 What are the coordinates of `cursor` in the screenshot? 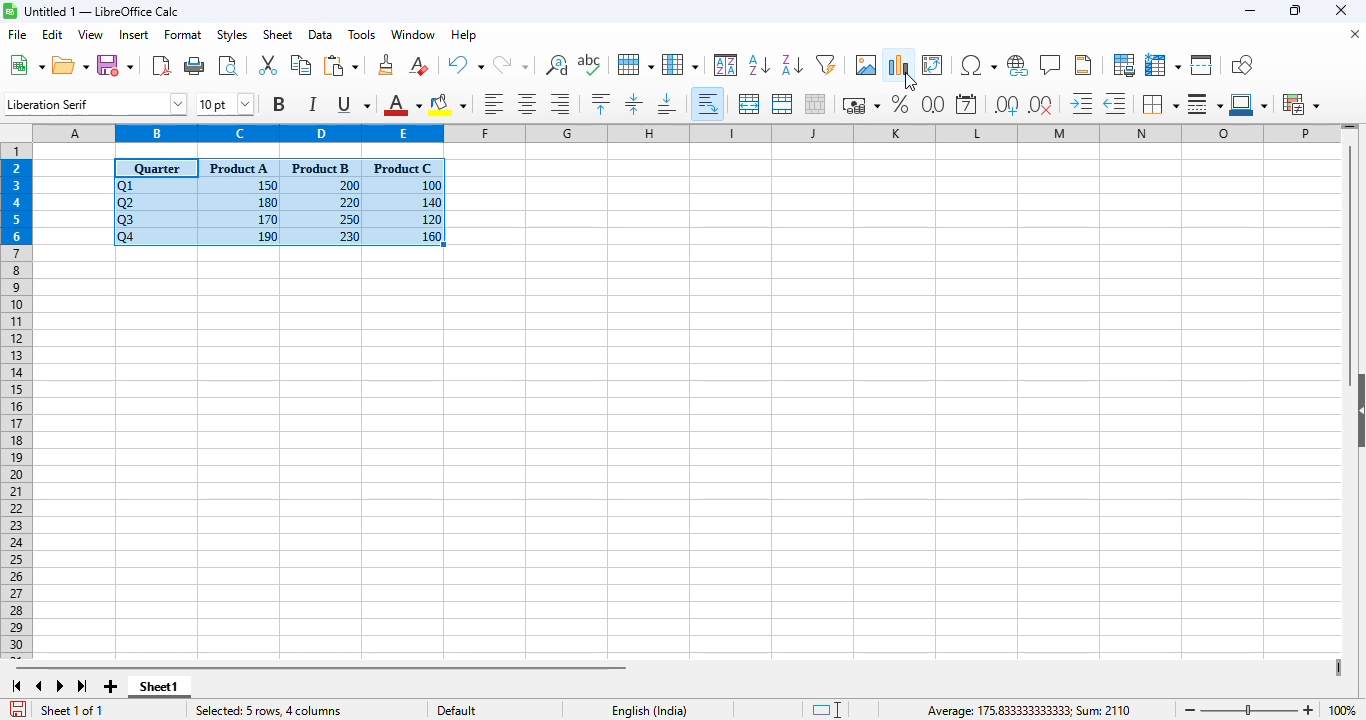 It's located at (911, 82).